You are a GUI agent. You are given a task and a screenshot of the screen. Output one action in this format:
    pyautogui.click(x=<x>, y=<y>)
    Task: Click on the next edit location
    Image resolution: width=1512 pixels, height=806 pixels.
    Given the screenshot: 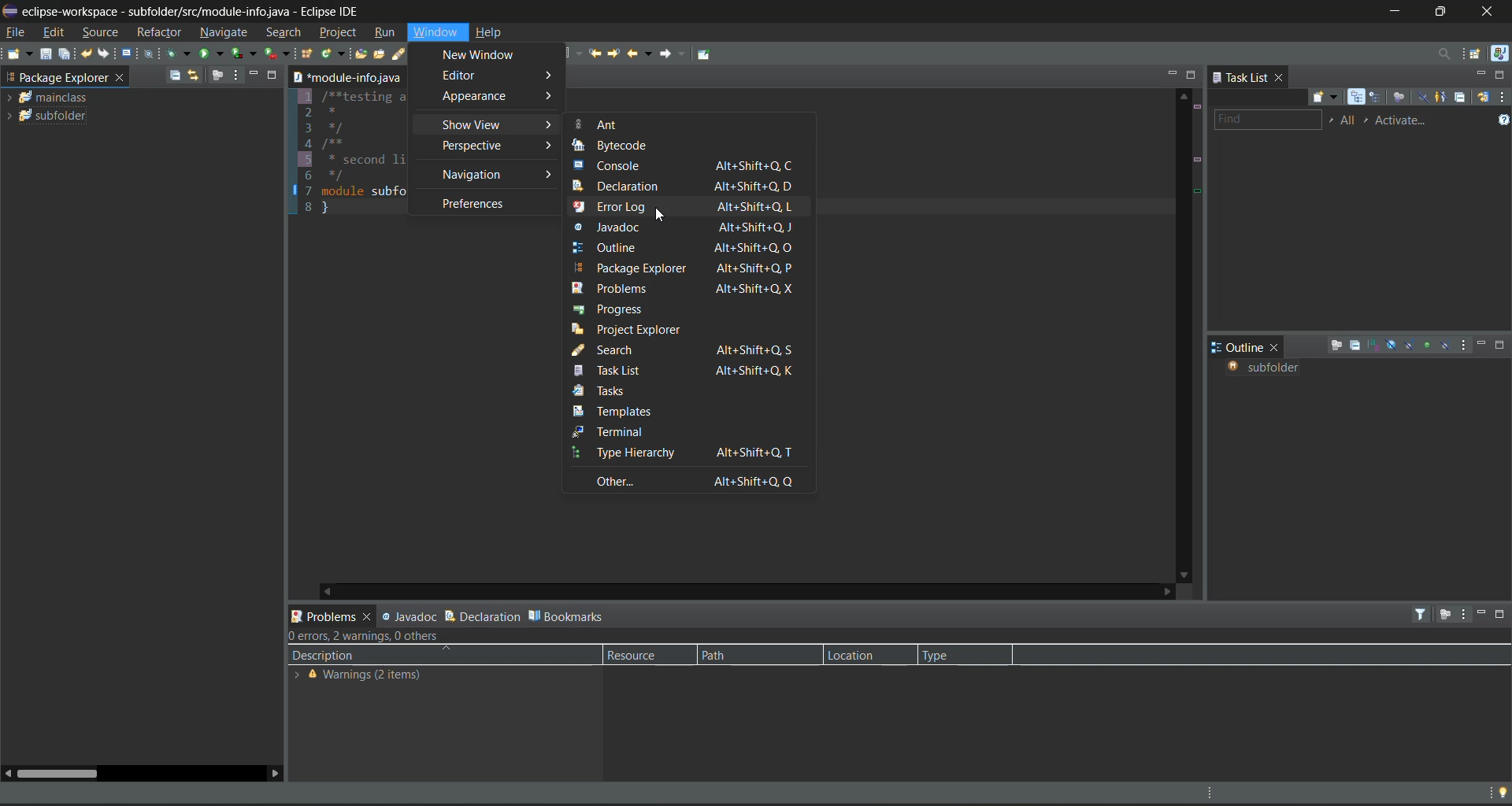 What is the action you would take?
    pyautogui.click(x=617, y=55)
    